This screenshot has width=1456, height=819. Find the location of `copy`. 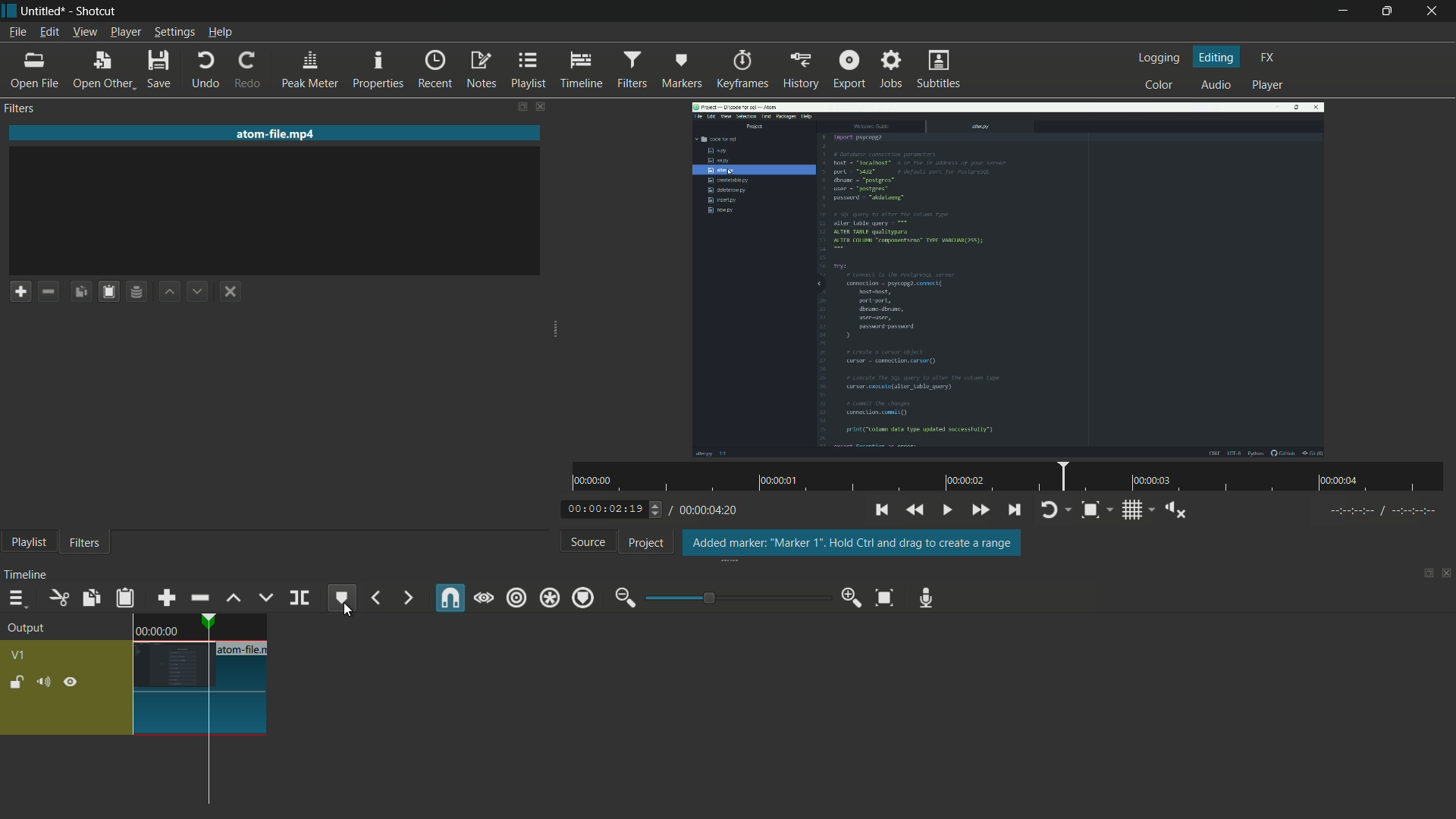

copy is located at coordinates (89, 598).